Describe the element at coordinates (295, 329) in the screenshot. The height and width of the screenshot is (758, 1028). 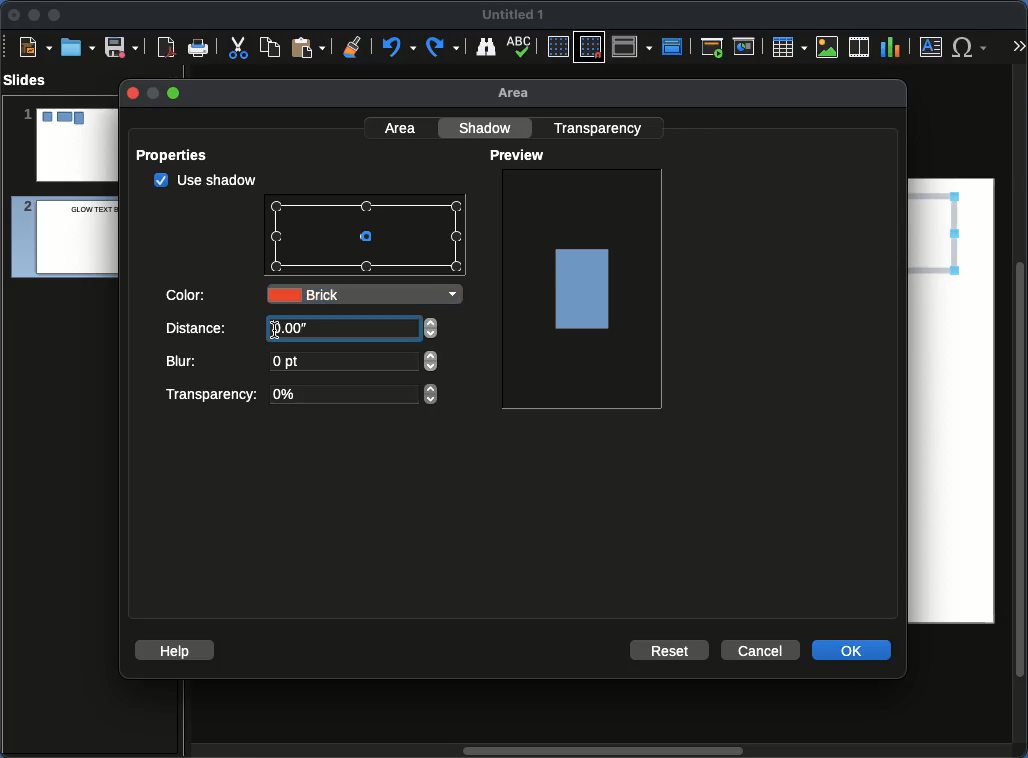
I see `10` at that location.